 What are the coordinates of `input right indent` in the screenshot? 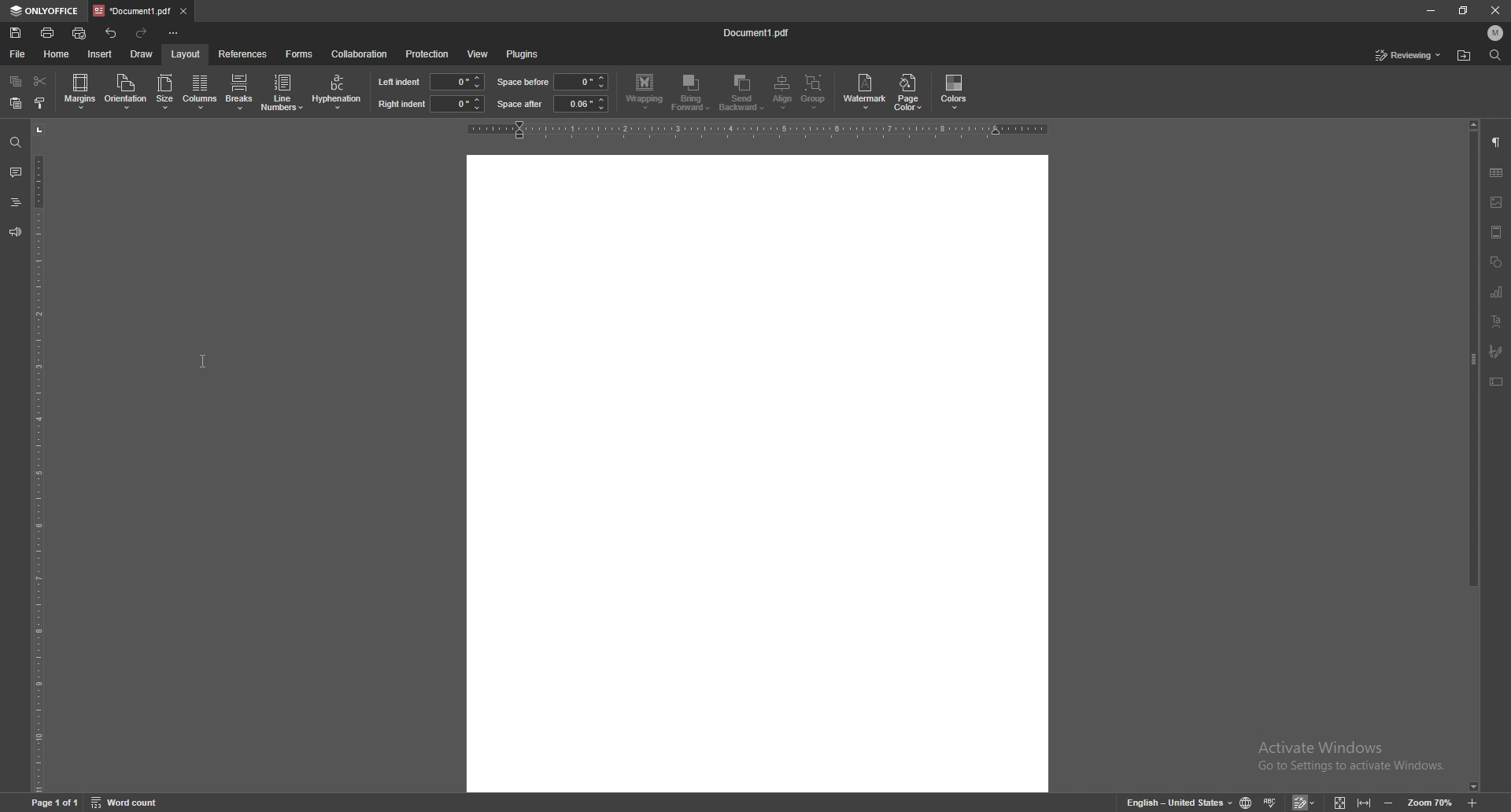 It's located at (456, 103).